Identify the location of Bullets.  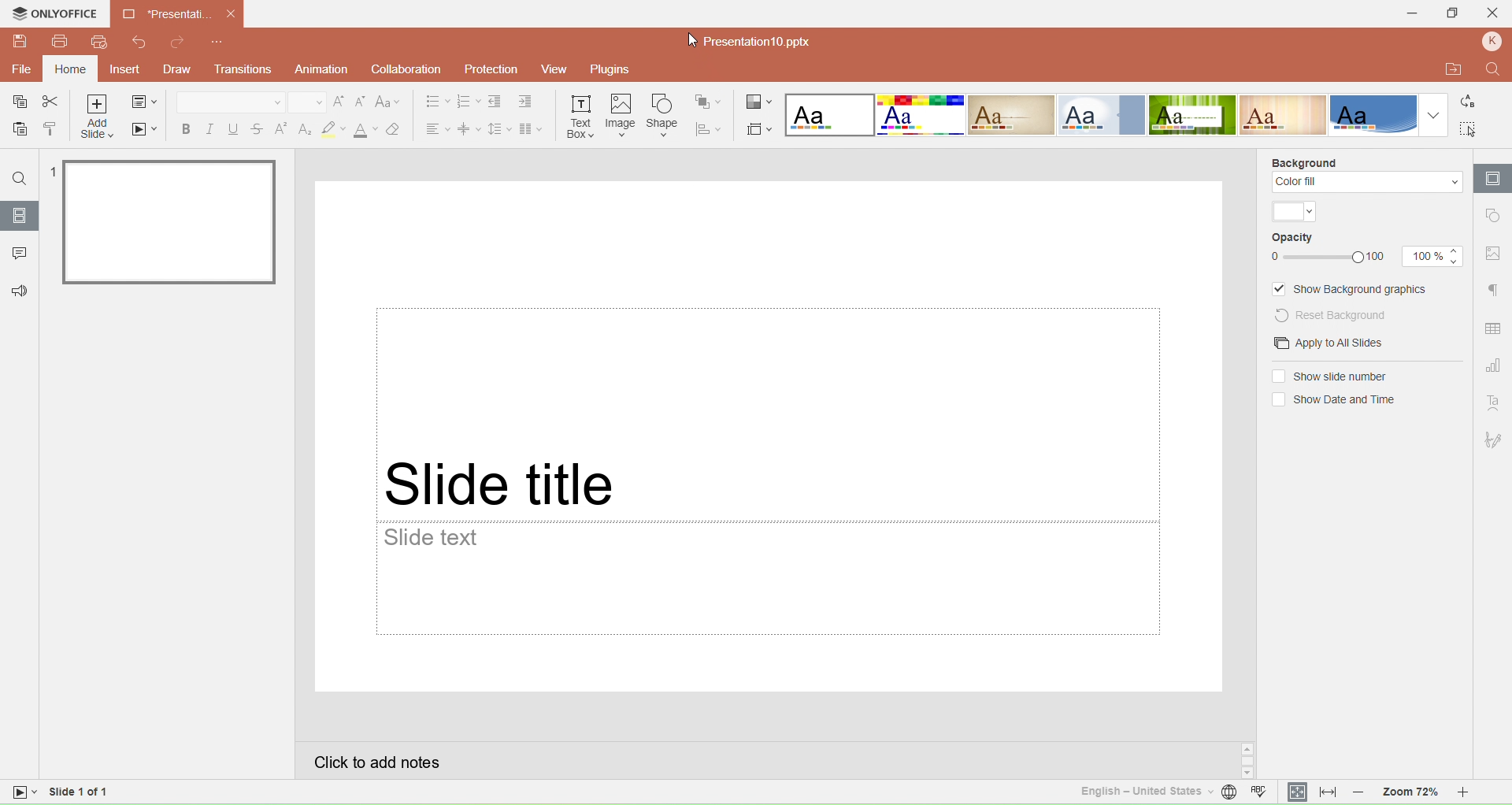
(432, 102).